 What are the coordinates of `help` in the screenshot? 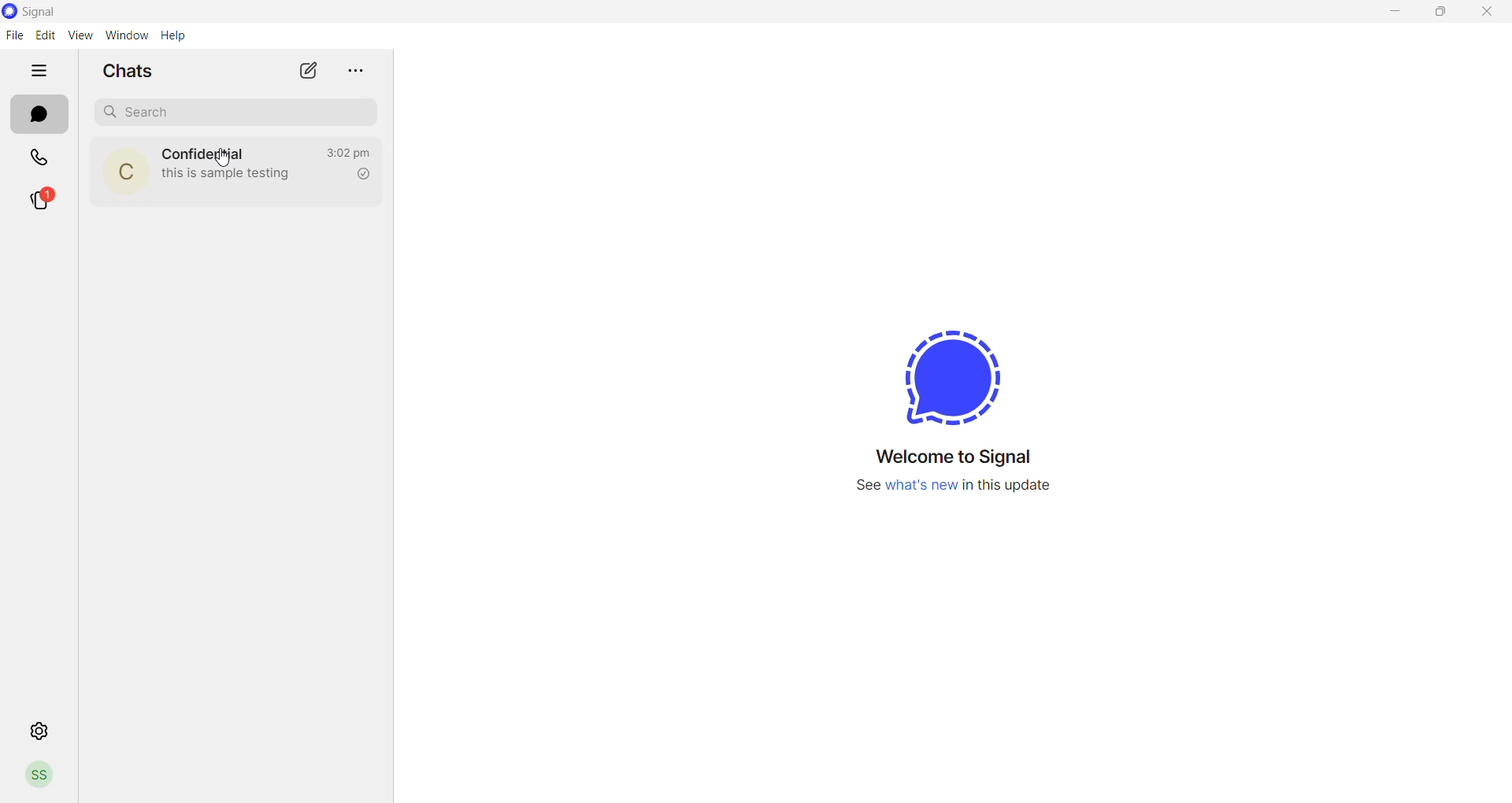 It's located at (174, 35).